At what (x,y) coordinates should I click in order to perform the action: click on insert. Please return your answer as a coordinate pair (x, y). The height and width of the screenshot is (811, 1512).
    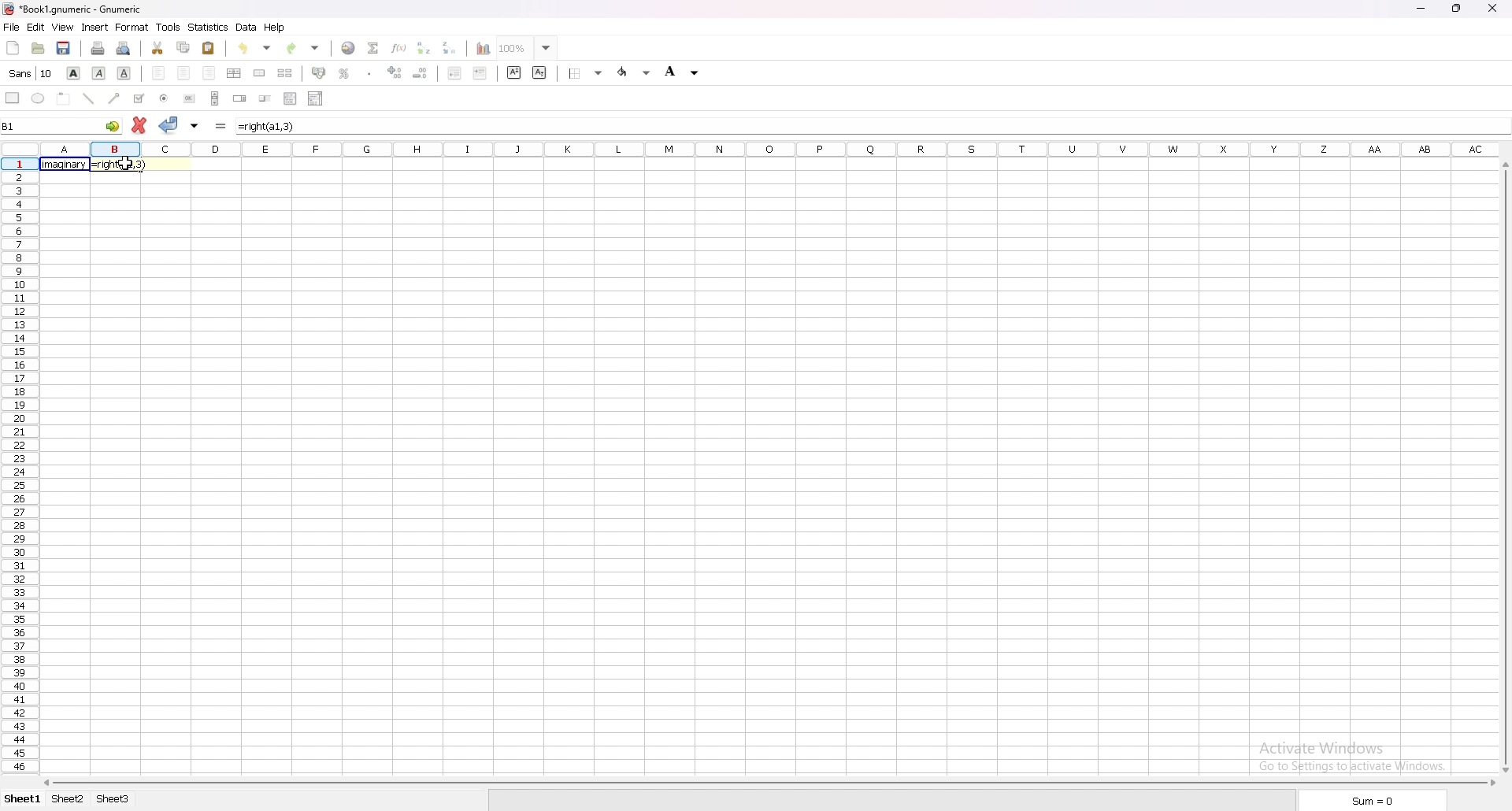
    Looking at the image, I should click on (95, 28).